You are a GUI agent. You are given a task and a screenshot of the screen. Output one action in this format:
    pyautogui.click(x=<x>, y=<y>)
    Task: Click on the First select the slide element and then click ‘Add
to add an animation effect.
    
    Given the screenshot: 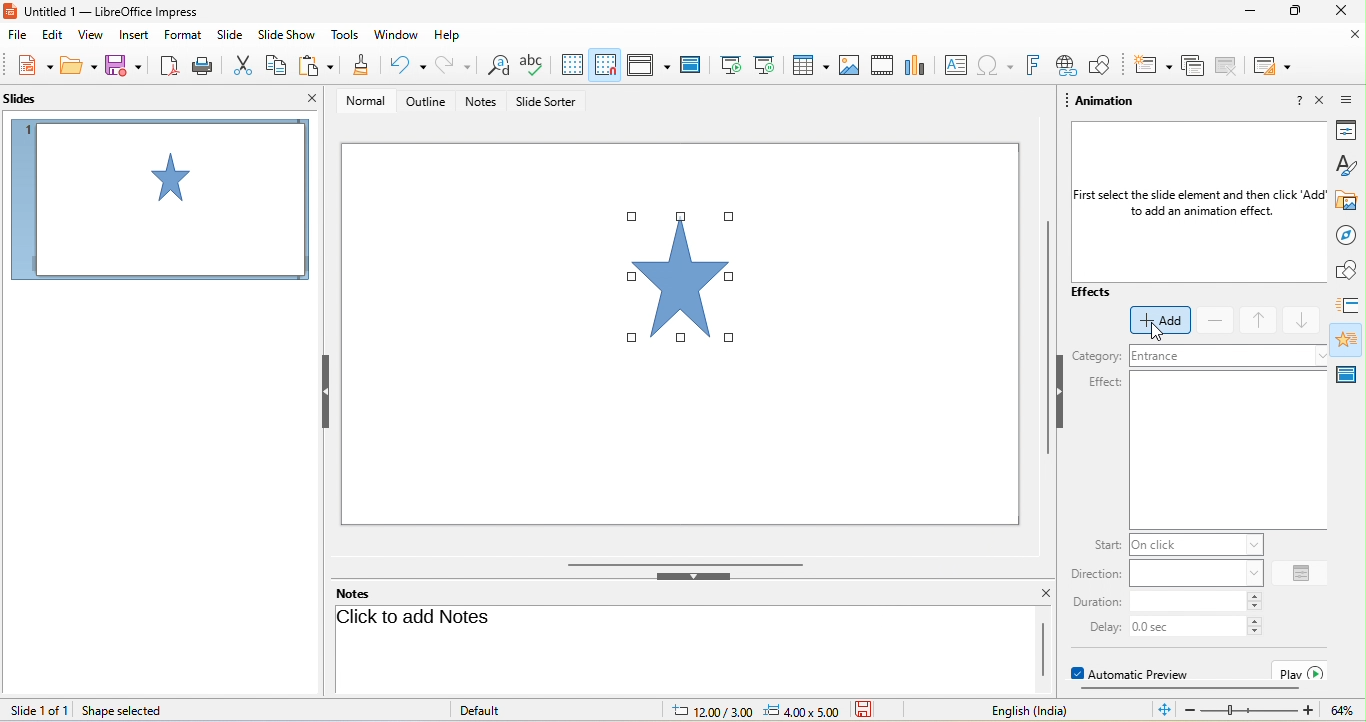 What is the action you would take?
    pyautogui.click(x=1198, y=201)
    